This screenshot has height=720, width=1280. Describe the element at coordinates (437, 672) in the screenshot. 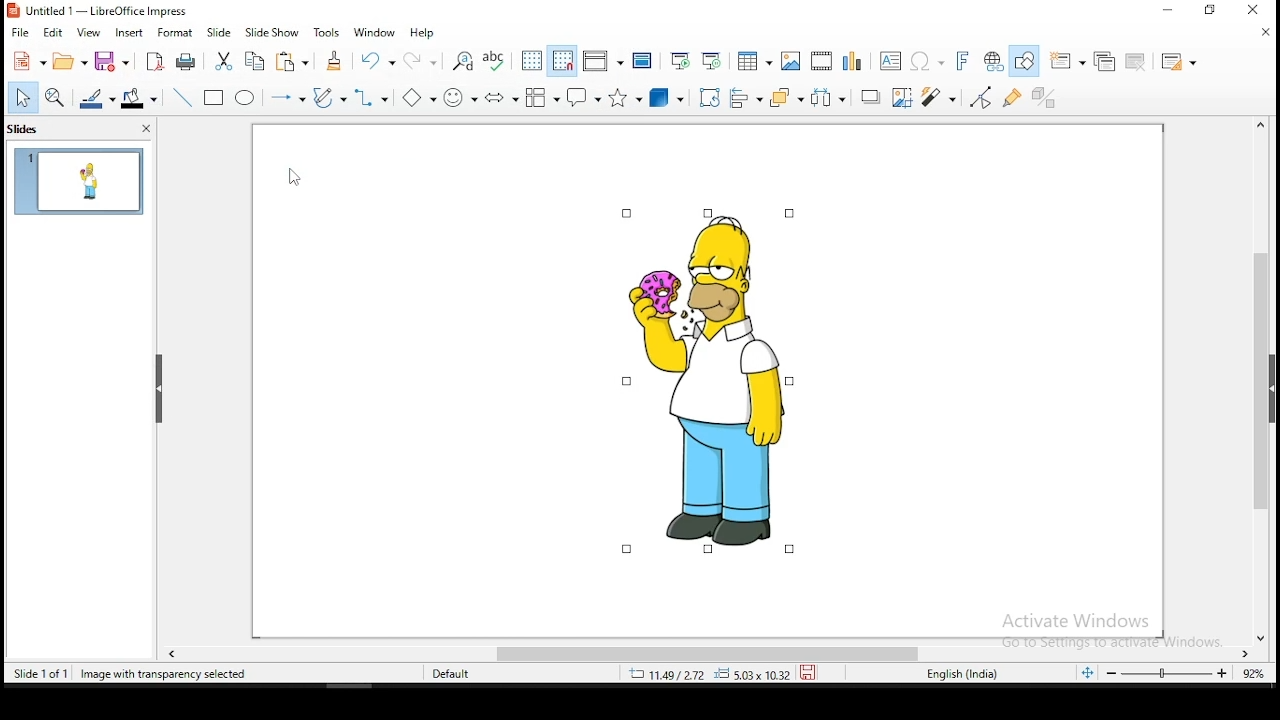

I see `defaulty` at that location.